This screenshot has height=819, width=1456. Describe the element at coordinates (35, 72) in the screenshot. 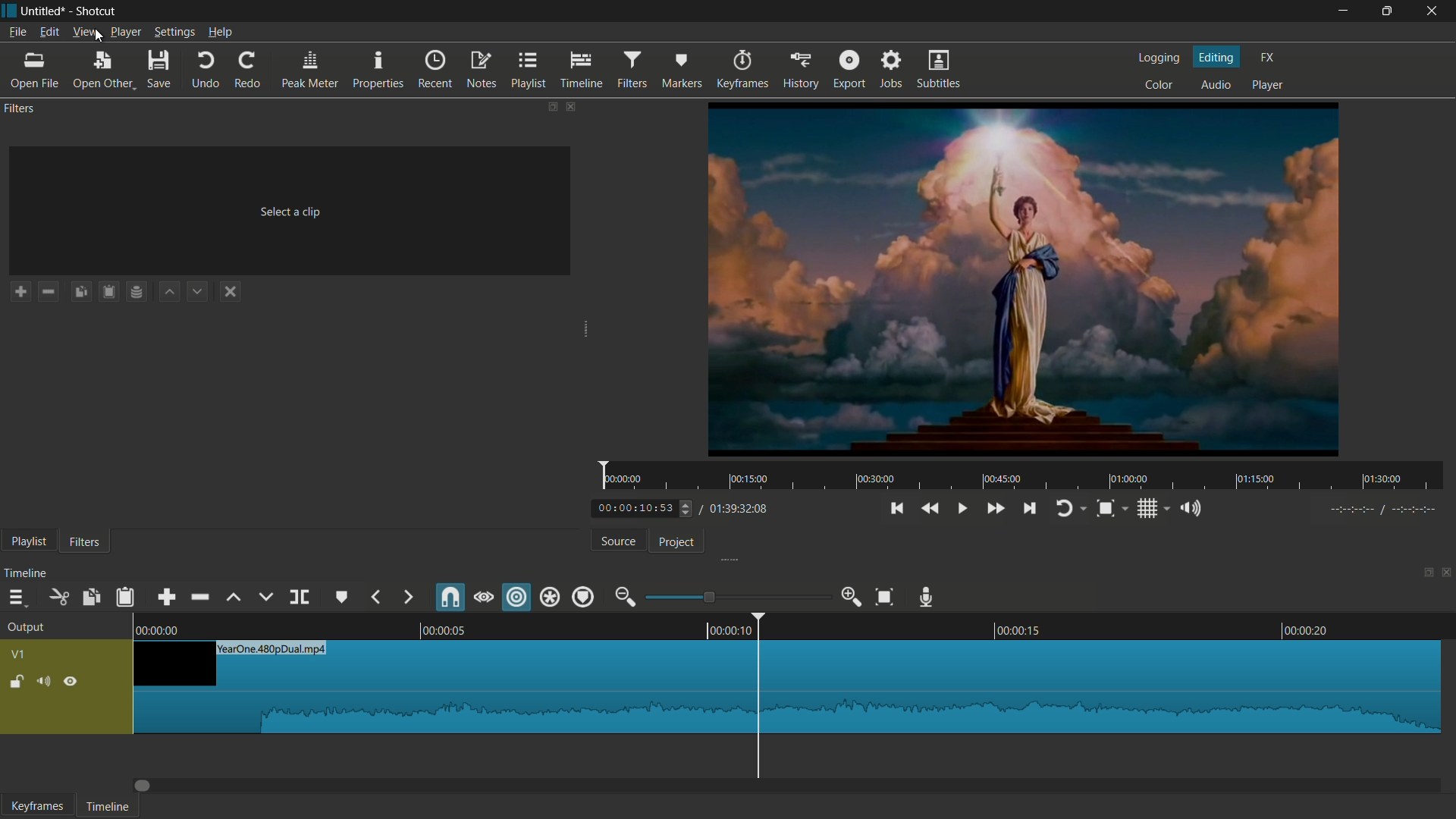

I see `open other` at that location.